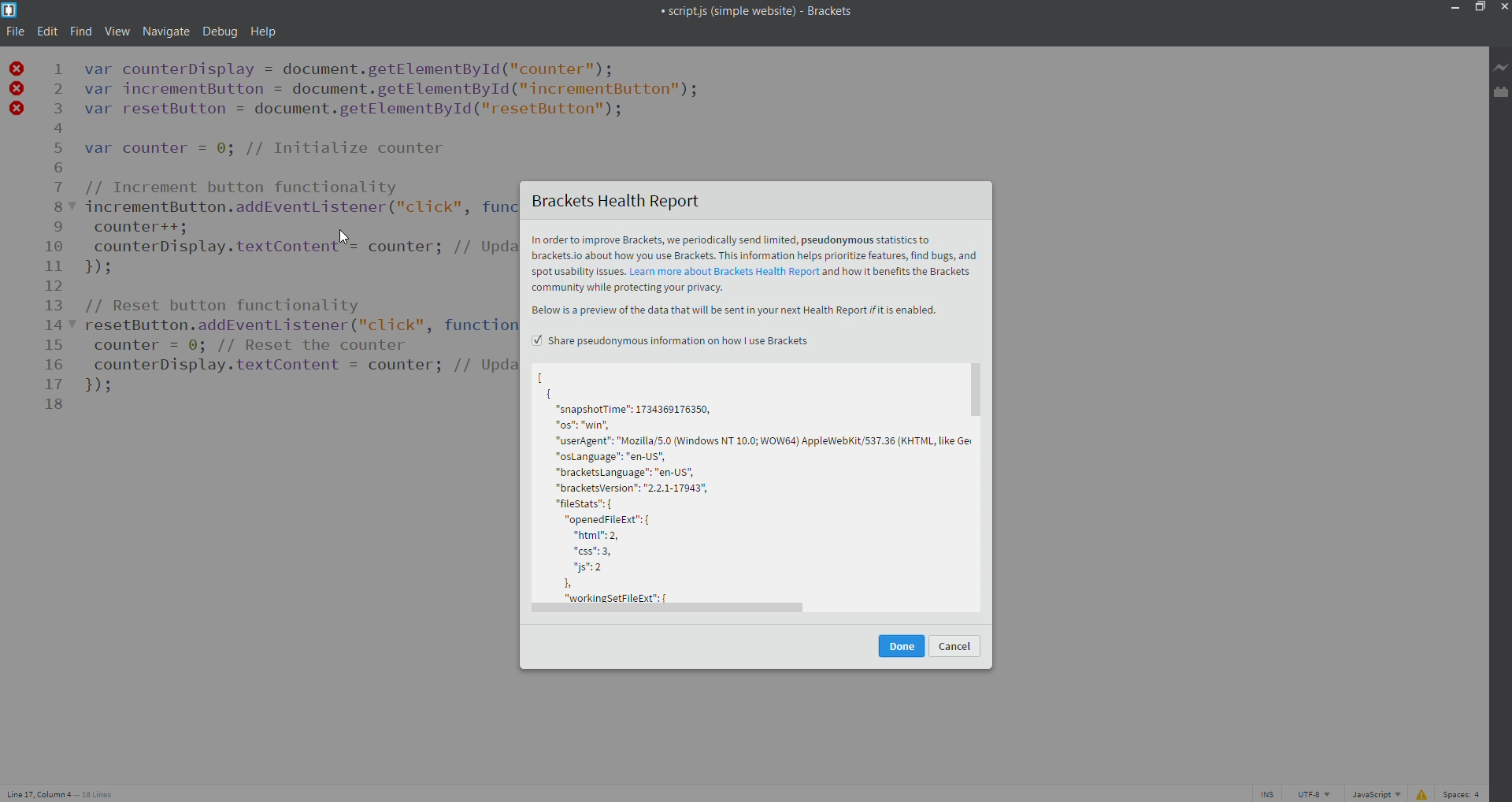 The image size is (1512, 802). I want to click on find, so click(78, 32).